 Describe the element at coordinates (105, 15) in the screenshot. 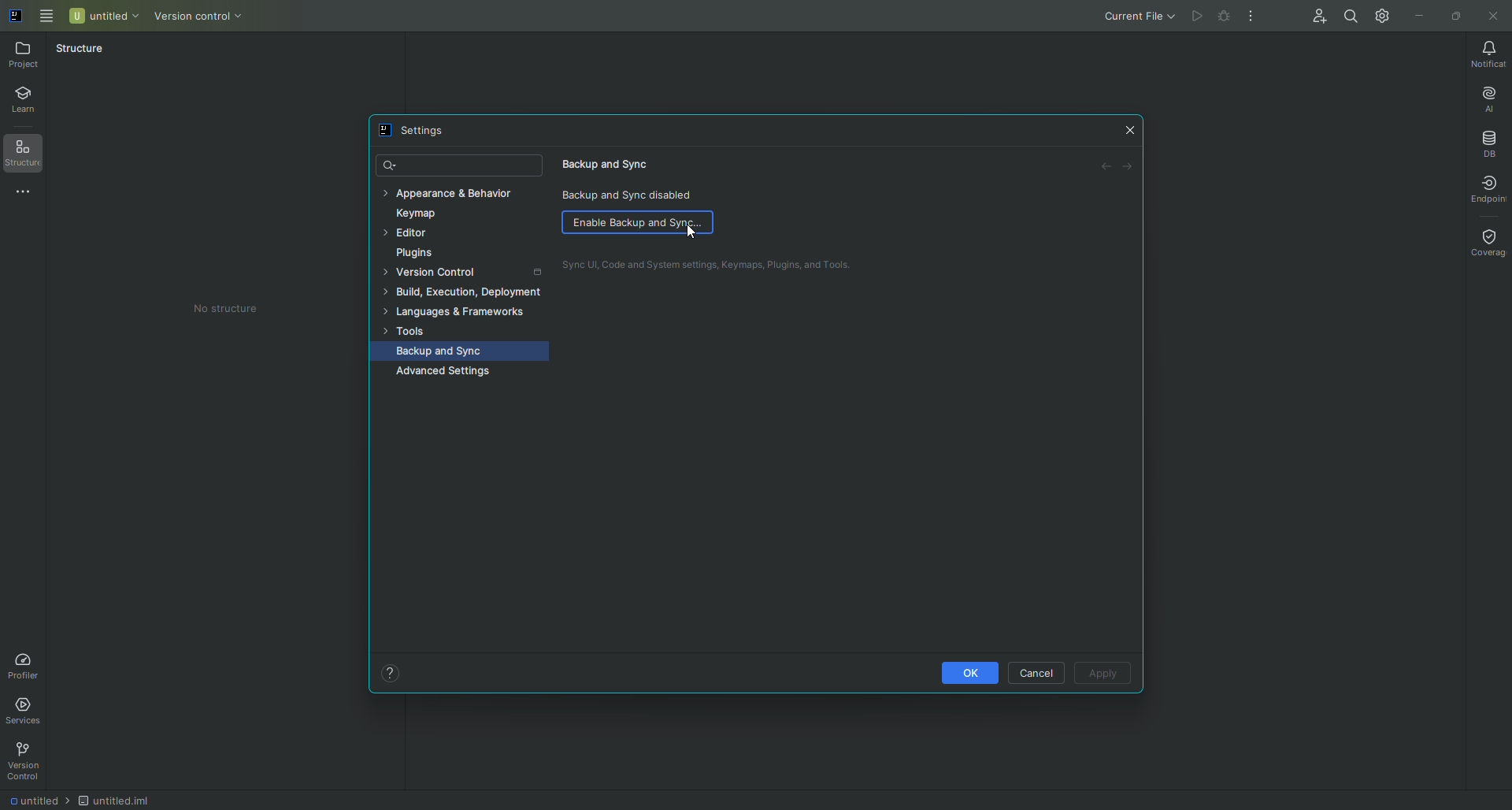

I see `Untitled` at that location.